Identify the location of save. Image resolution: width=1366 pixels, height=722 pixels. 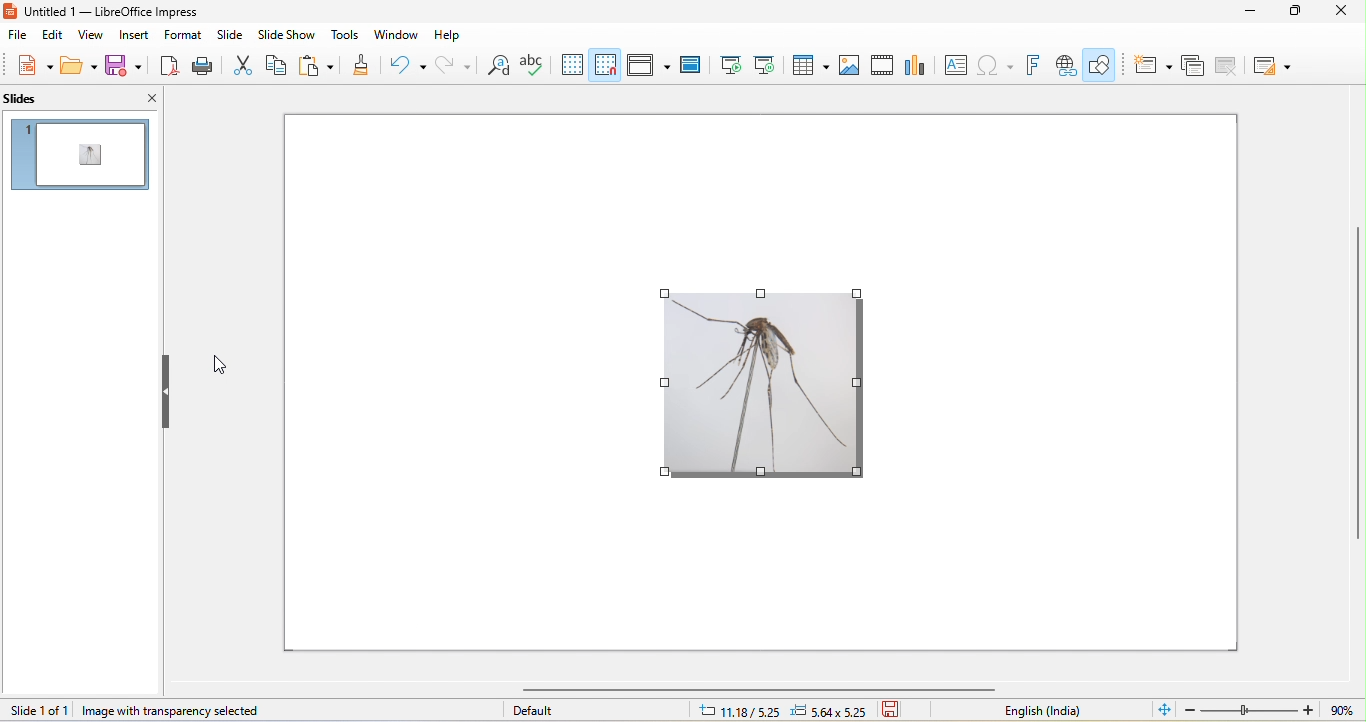
(126, 67).